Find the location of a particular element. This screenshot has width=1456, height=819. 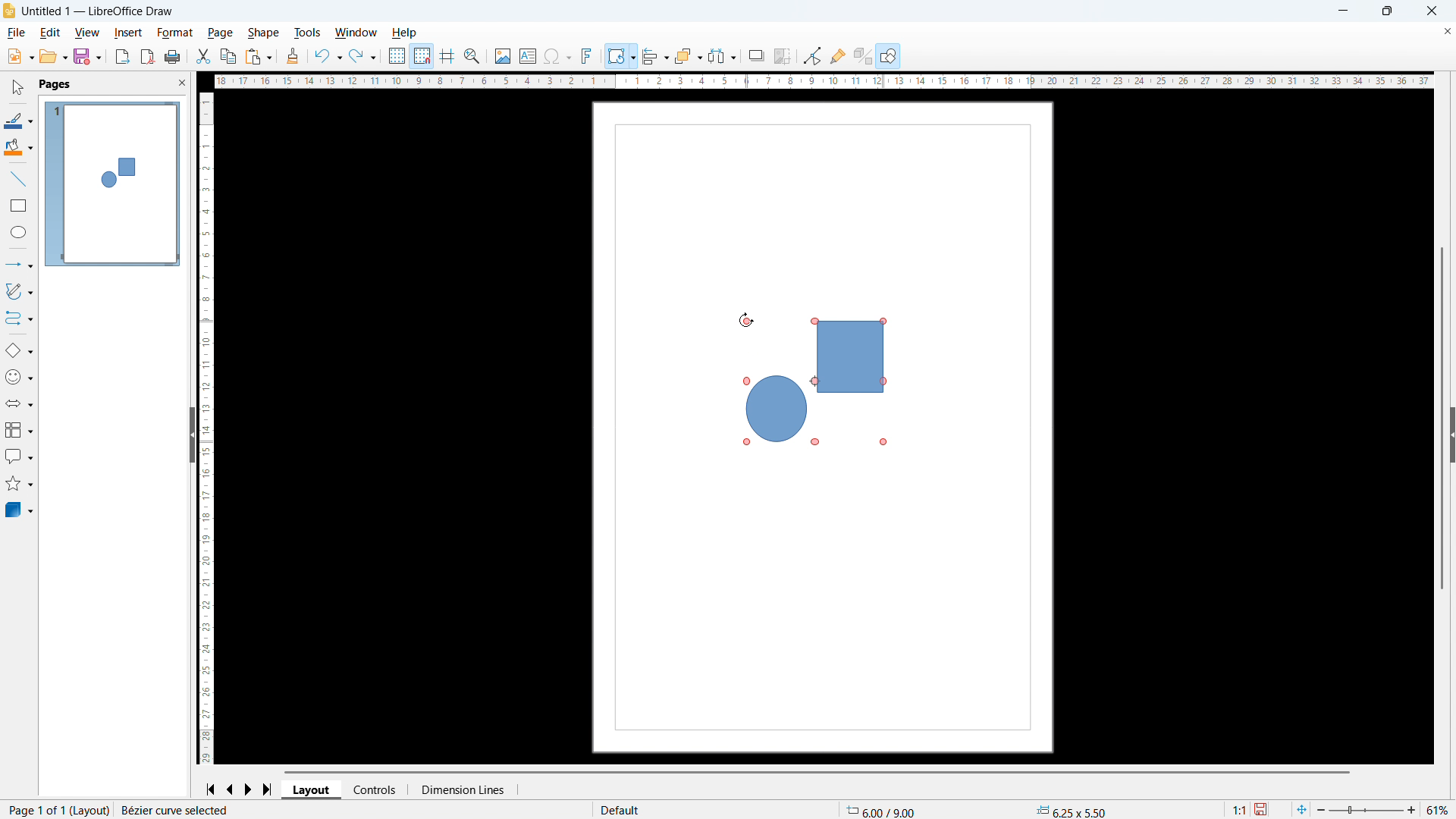

Window  is located at coordinates (355, 33).